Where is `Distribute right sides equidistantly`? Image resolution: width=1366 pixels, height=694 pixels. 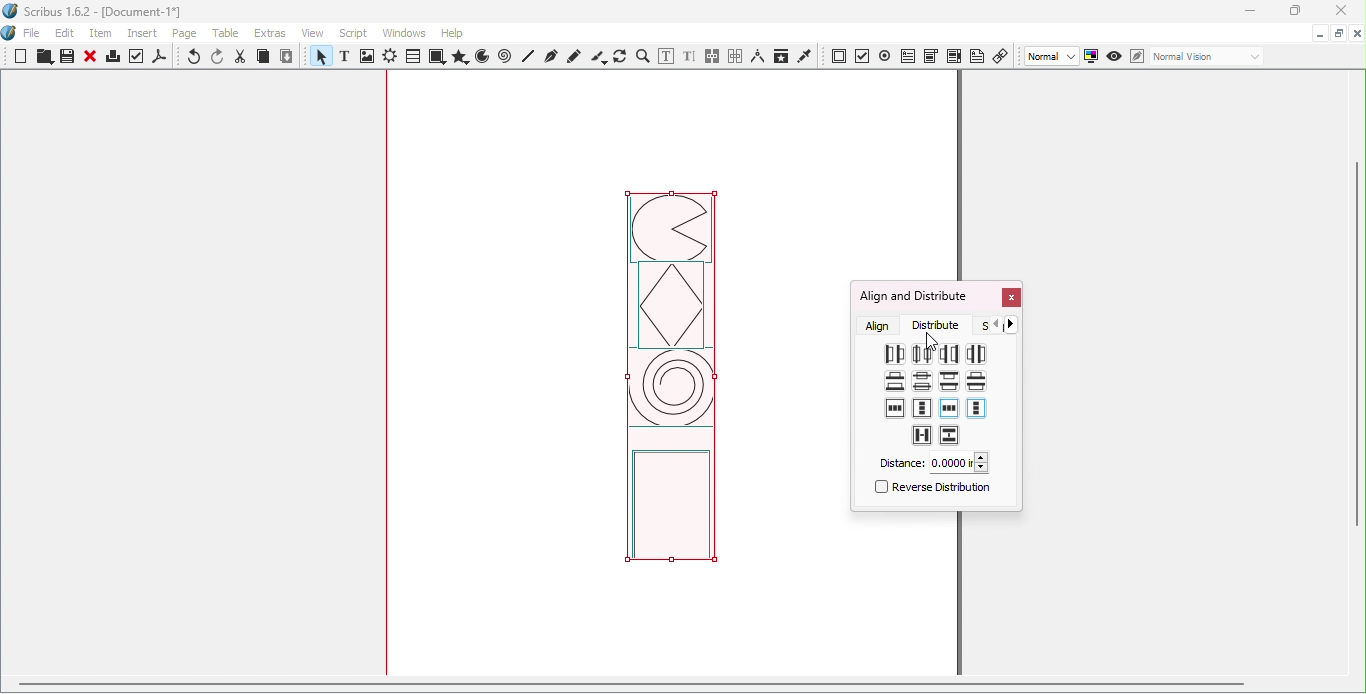 Distribute right sides equidistantly is located at coordinates (948, 353).